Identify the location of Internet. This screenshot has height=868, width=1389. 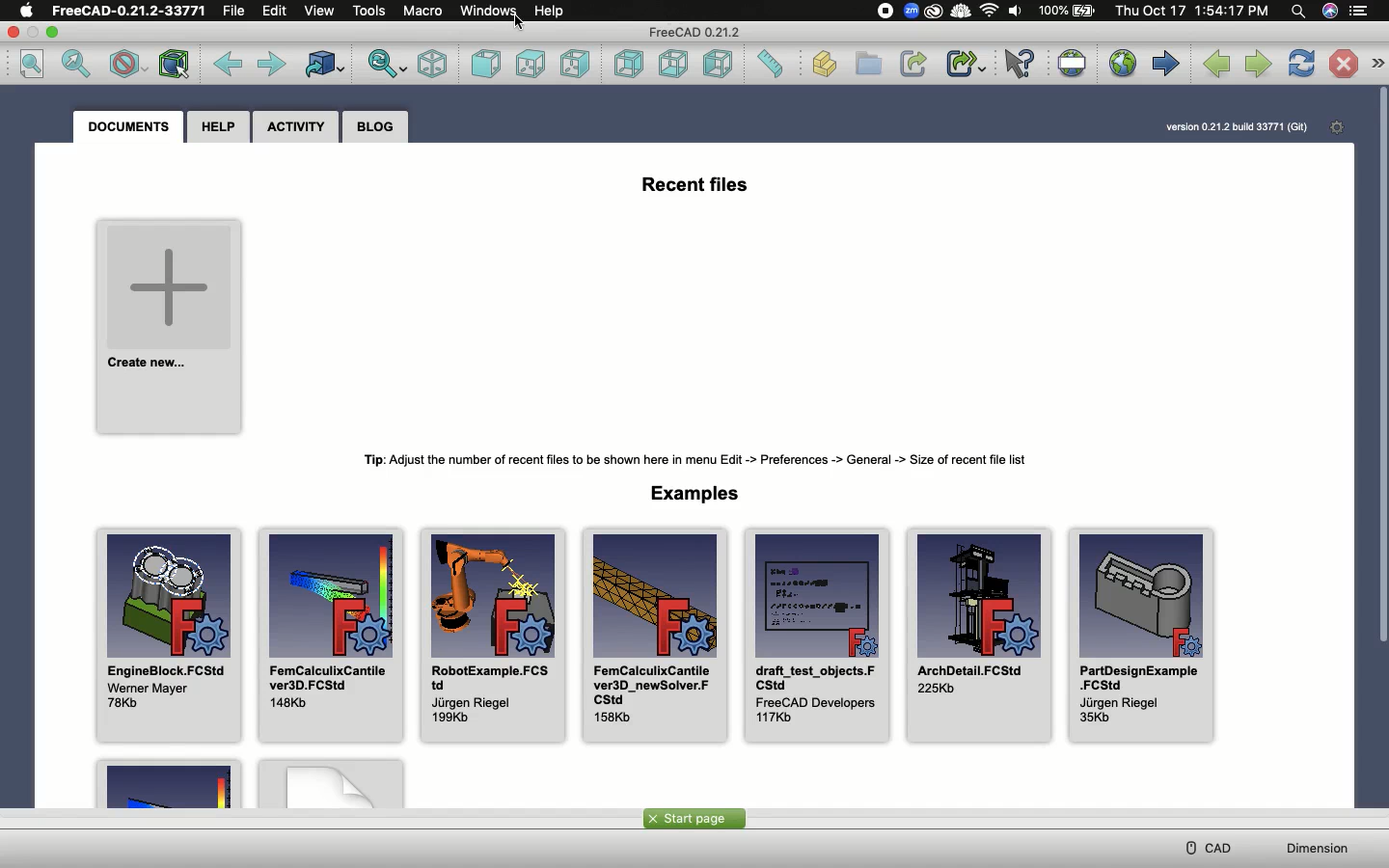
(989, 12).